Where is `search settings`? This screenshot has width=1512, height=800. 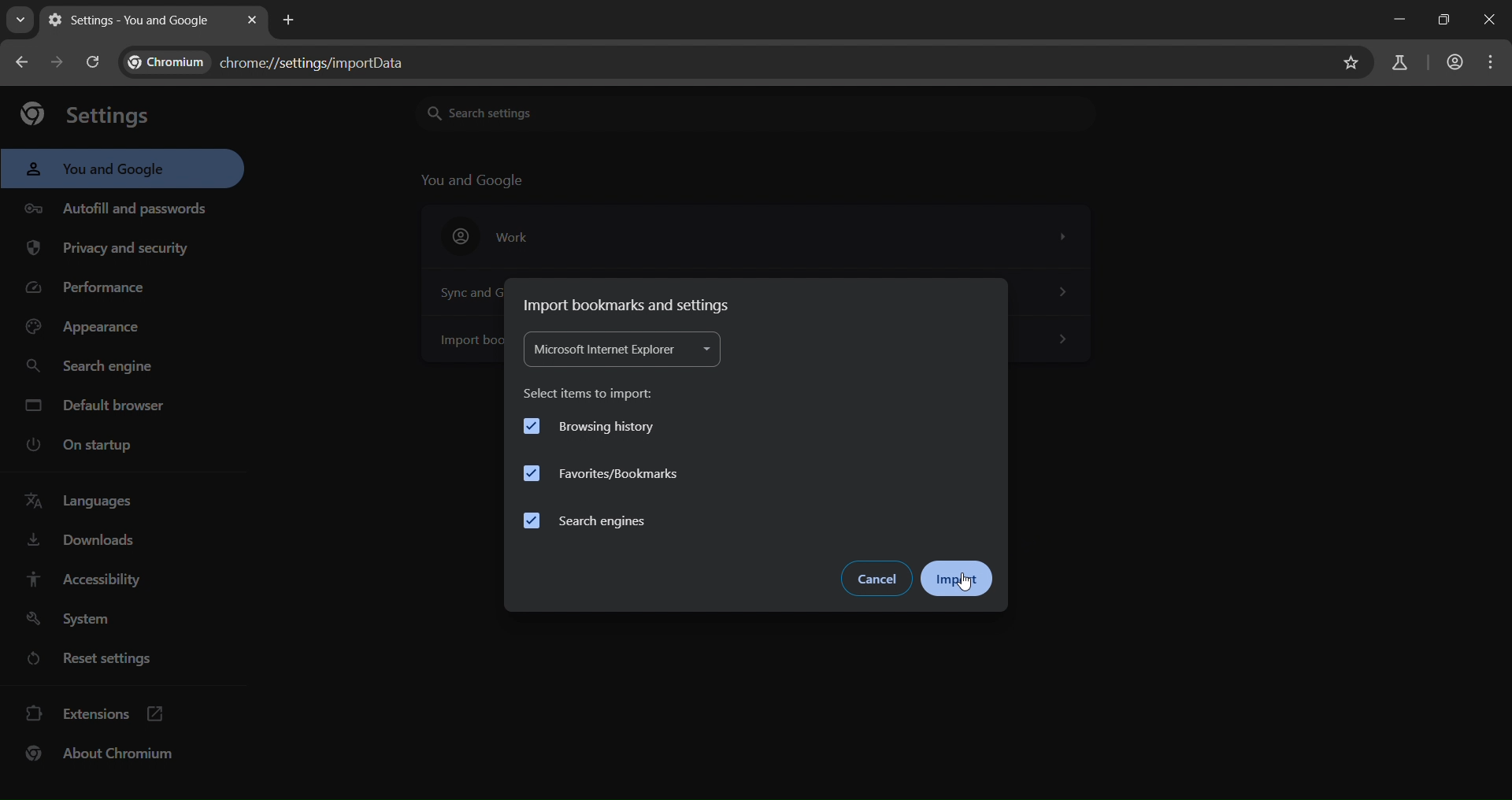
search settings is located at coordinates (543, 112).